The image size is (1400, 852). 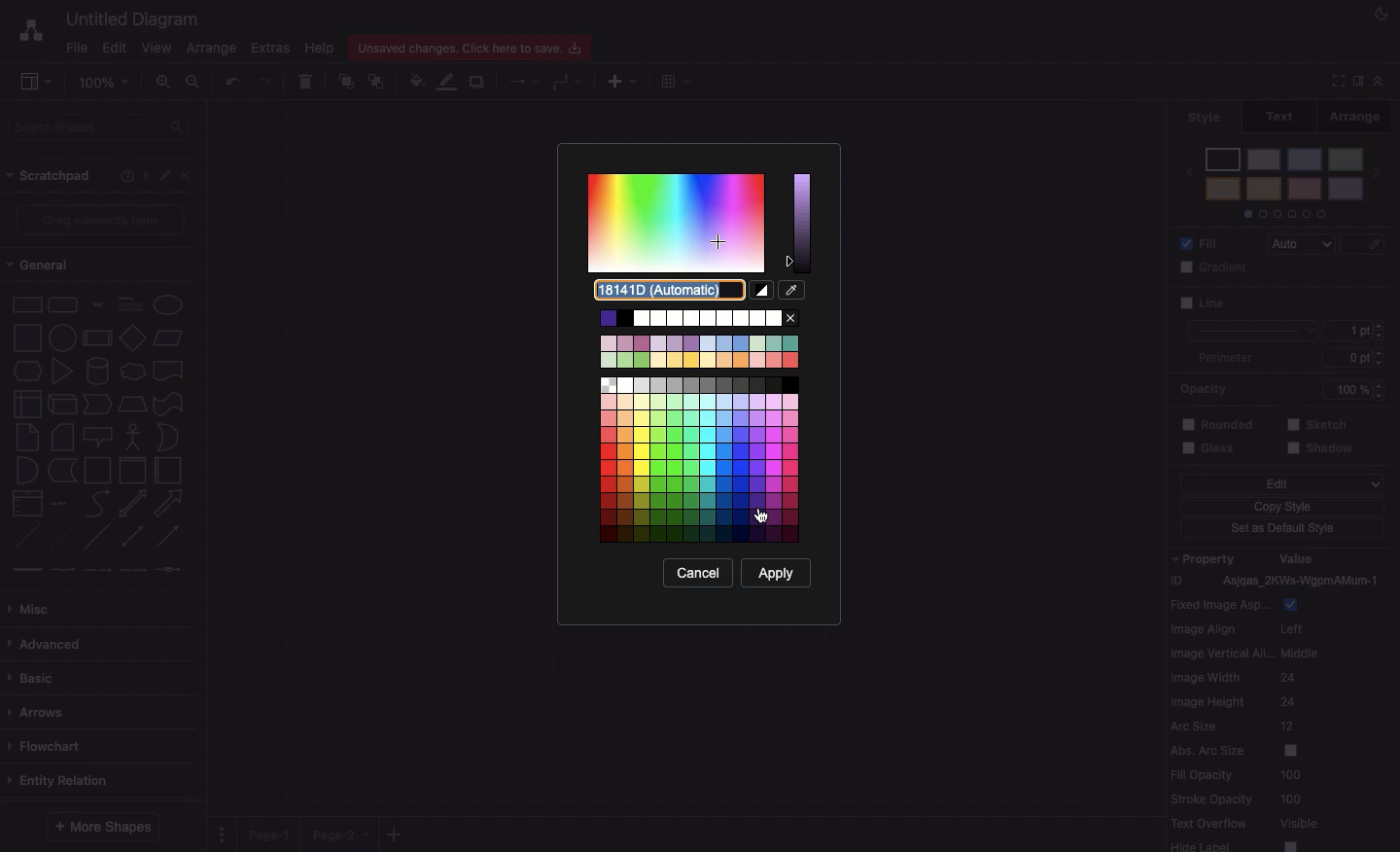 What do you see at coordinates (1284, 530) in the screenshot?
I see `Set as default style` at bounding box center [1284, 530].